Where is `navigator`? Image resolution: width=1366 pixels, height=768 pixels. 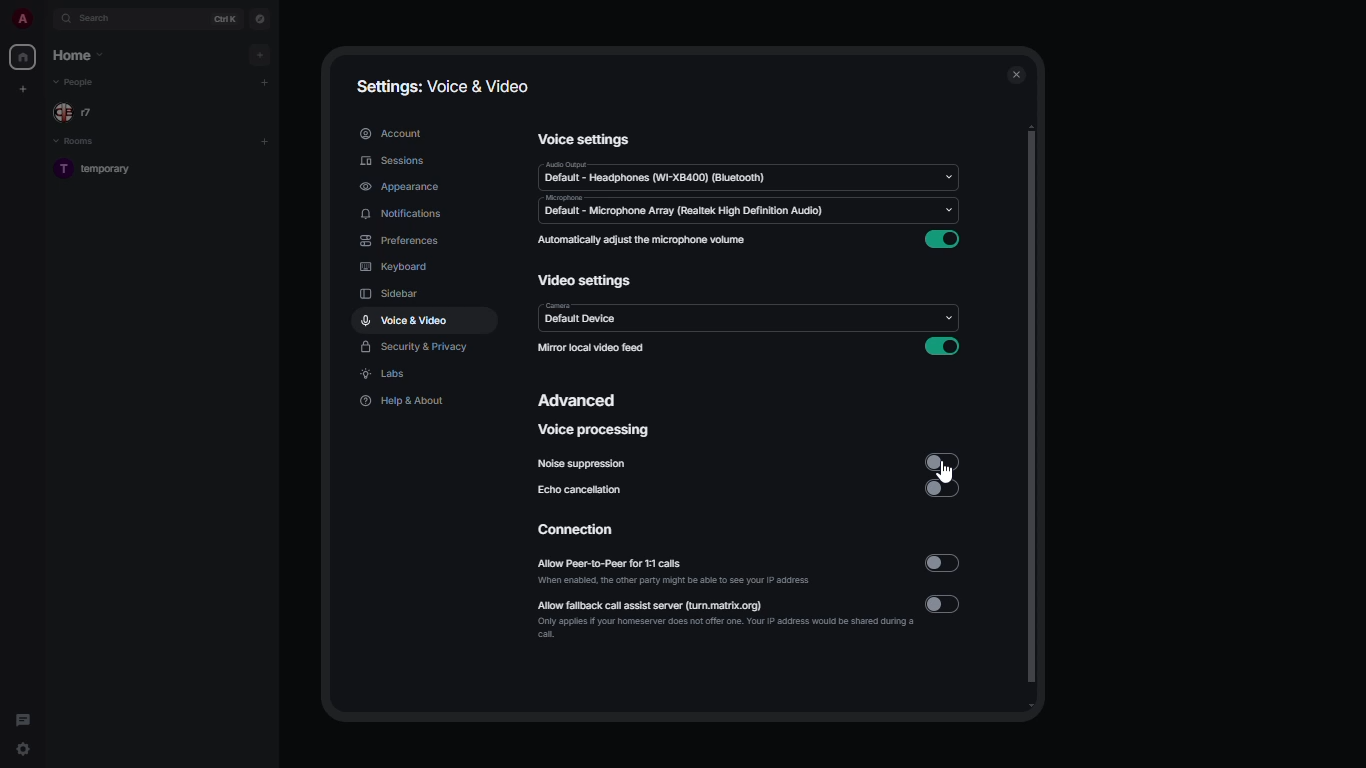
navigator is located at coordinates (258, 19).